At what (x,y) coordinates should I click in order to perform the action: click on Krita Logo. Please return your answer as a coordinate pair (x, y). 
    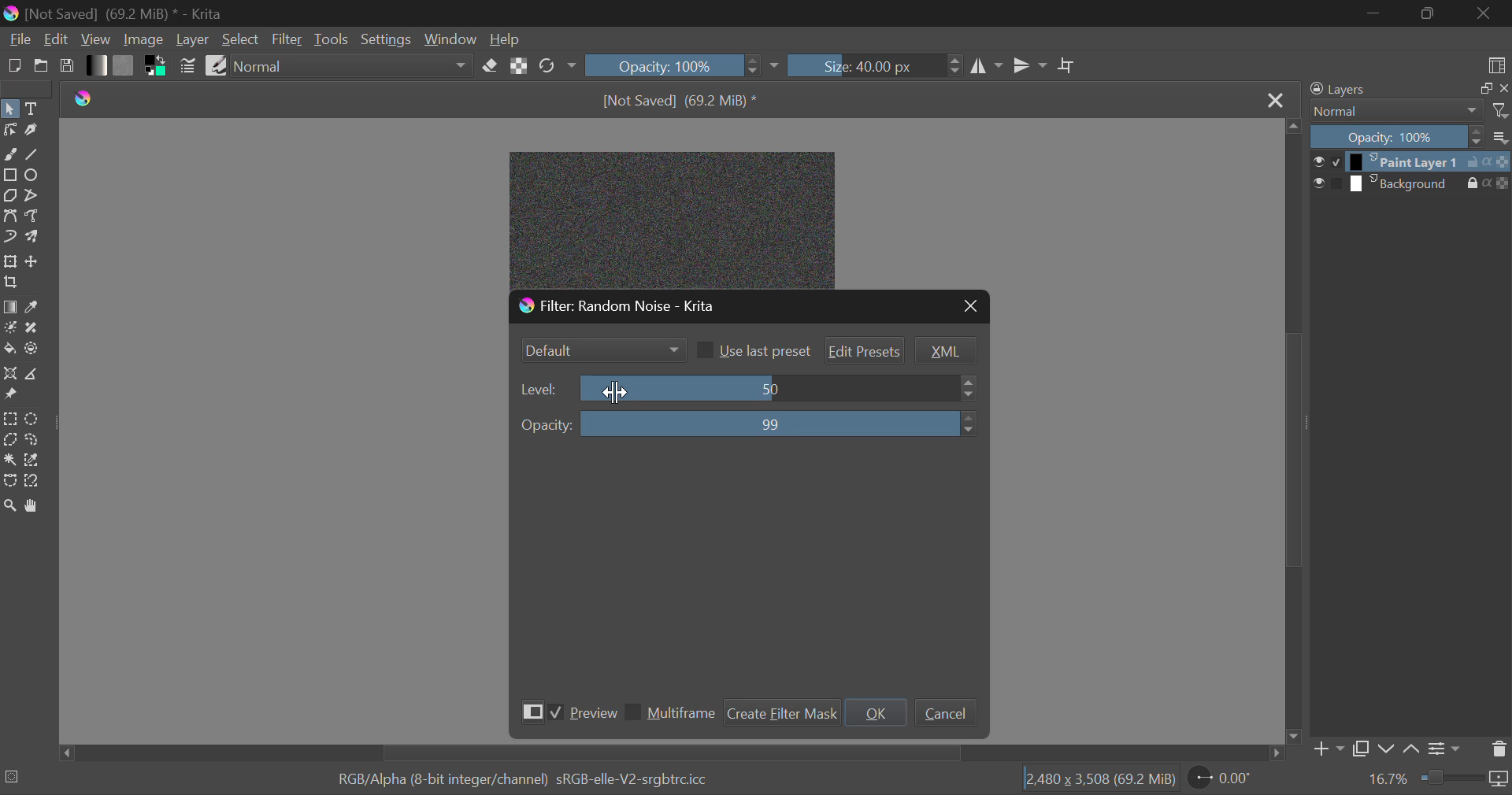
    Looking at the image, I should click on (85, 97).